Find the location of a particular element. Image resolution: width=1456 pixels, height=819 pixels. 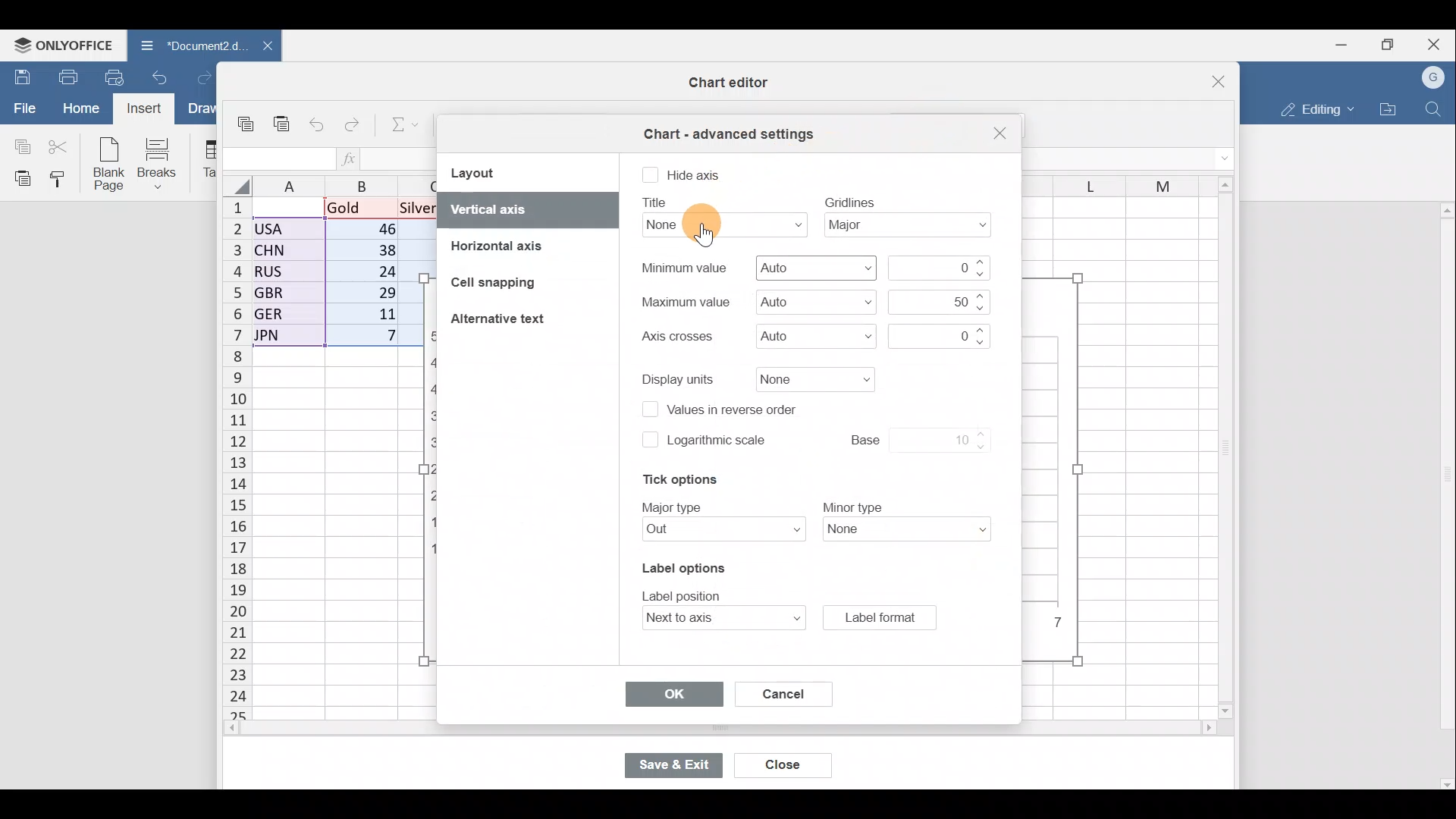

text is located at coordinates (674, 506).